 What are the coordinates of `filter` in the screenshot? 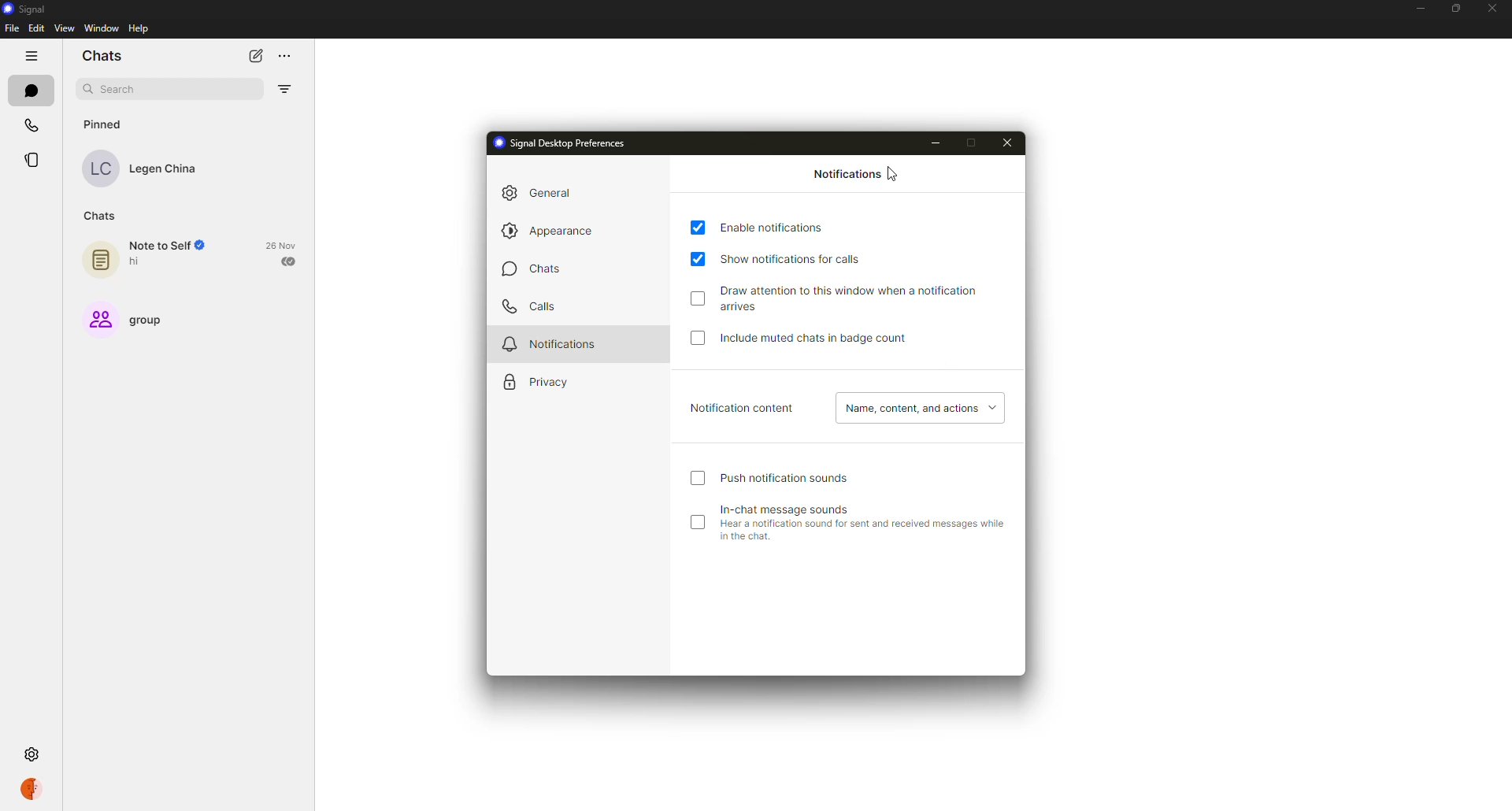 It's located at (286, 88).